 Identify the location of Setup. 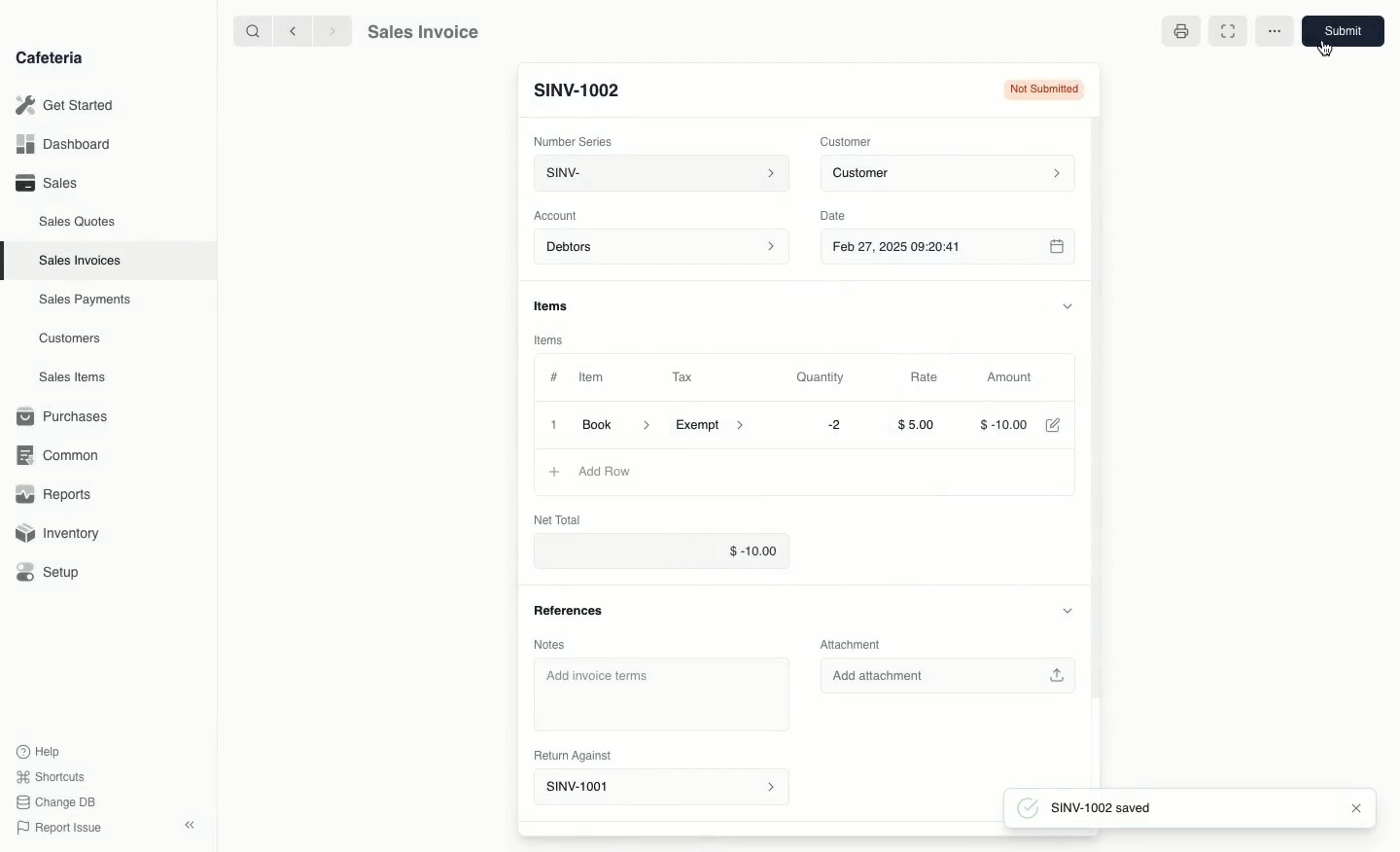
(51, 572).